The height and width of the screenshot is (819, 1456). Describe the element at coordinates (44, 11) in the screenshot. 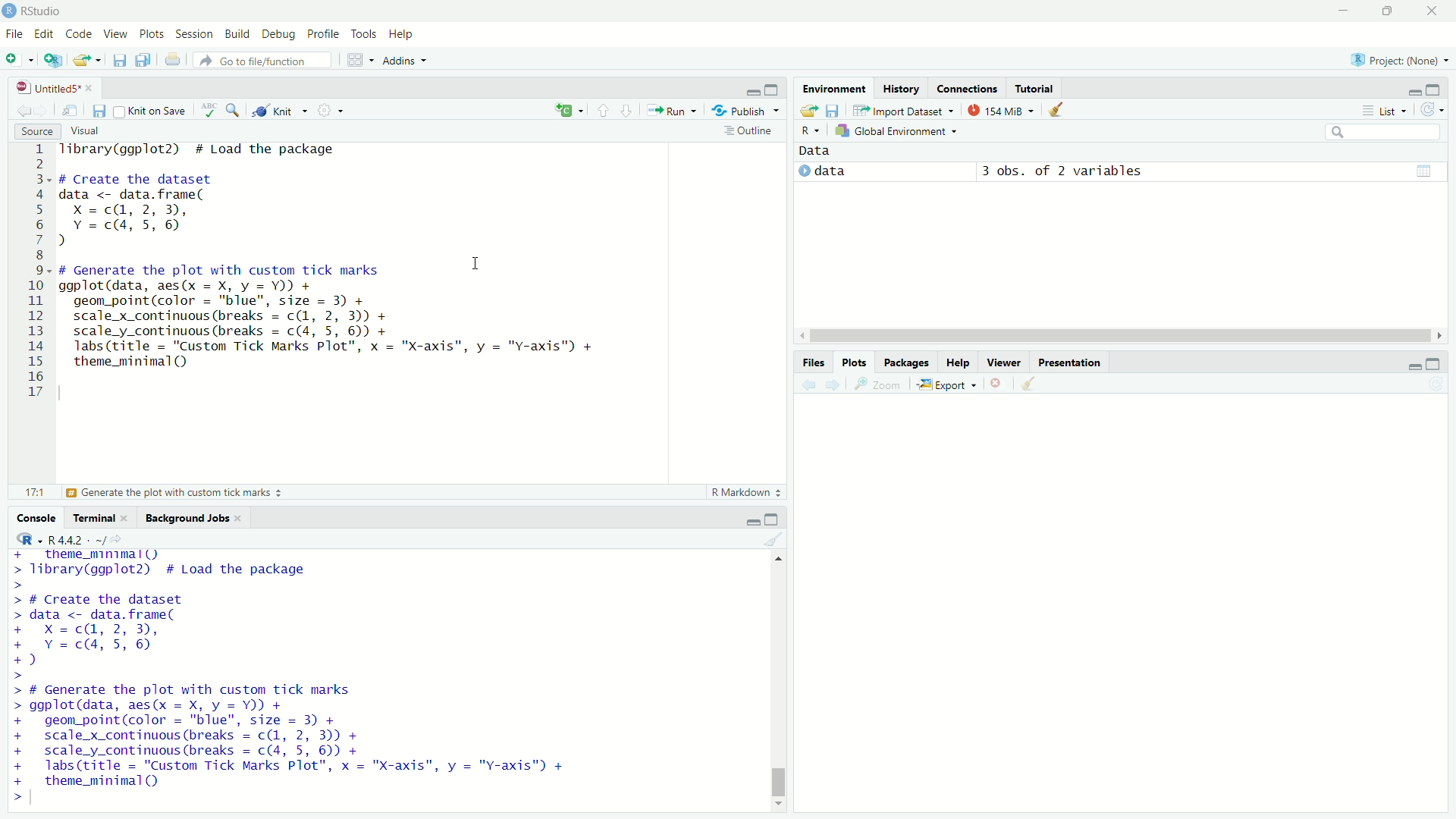

I see `RStudio` at that location.